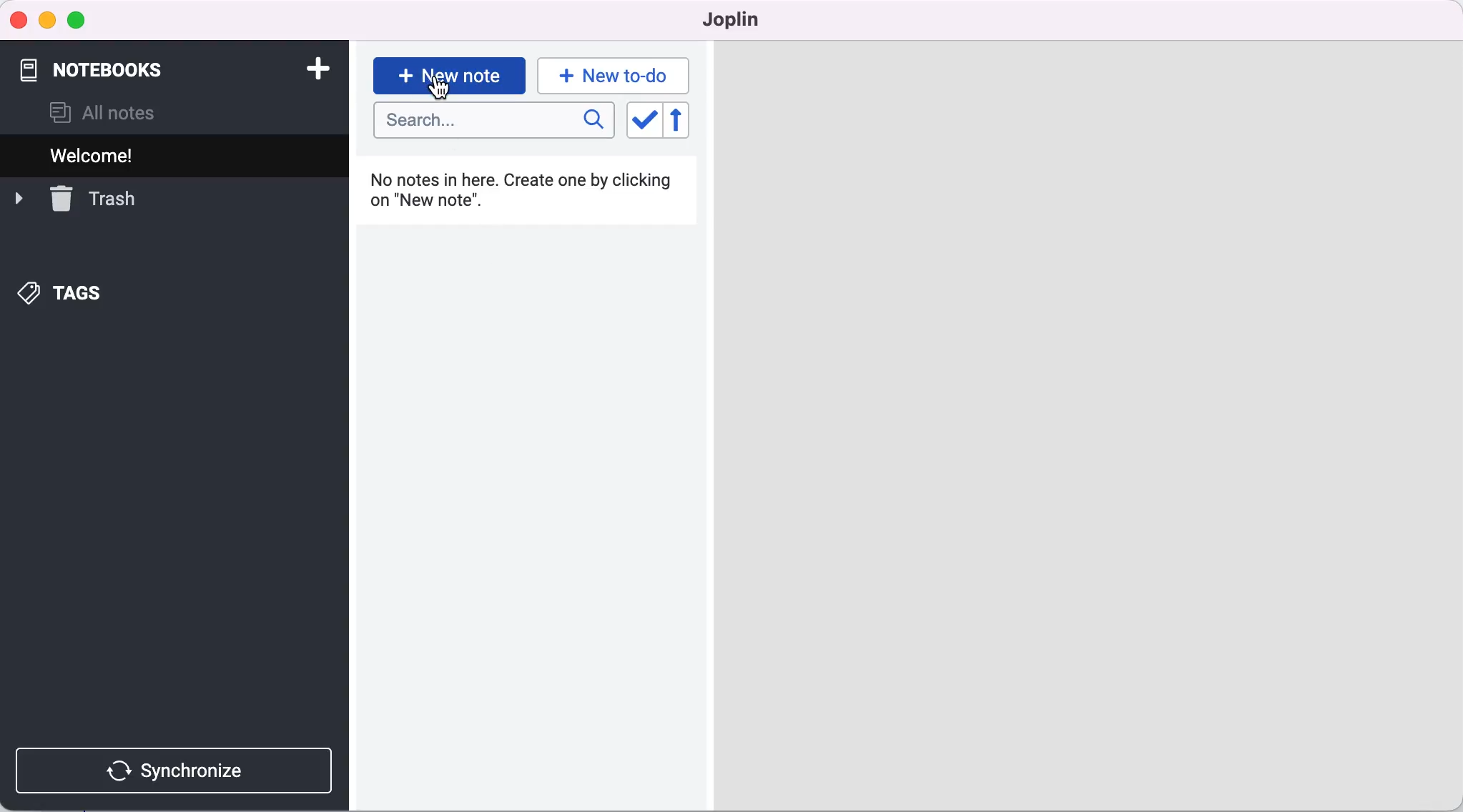 The width and height of the screenshot is (1463, 812). I want to click on new to-do, so click(617, 75).